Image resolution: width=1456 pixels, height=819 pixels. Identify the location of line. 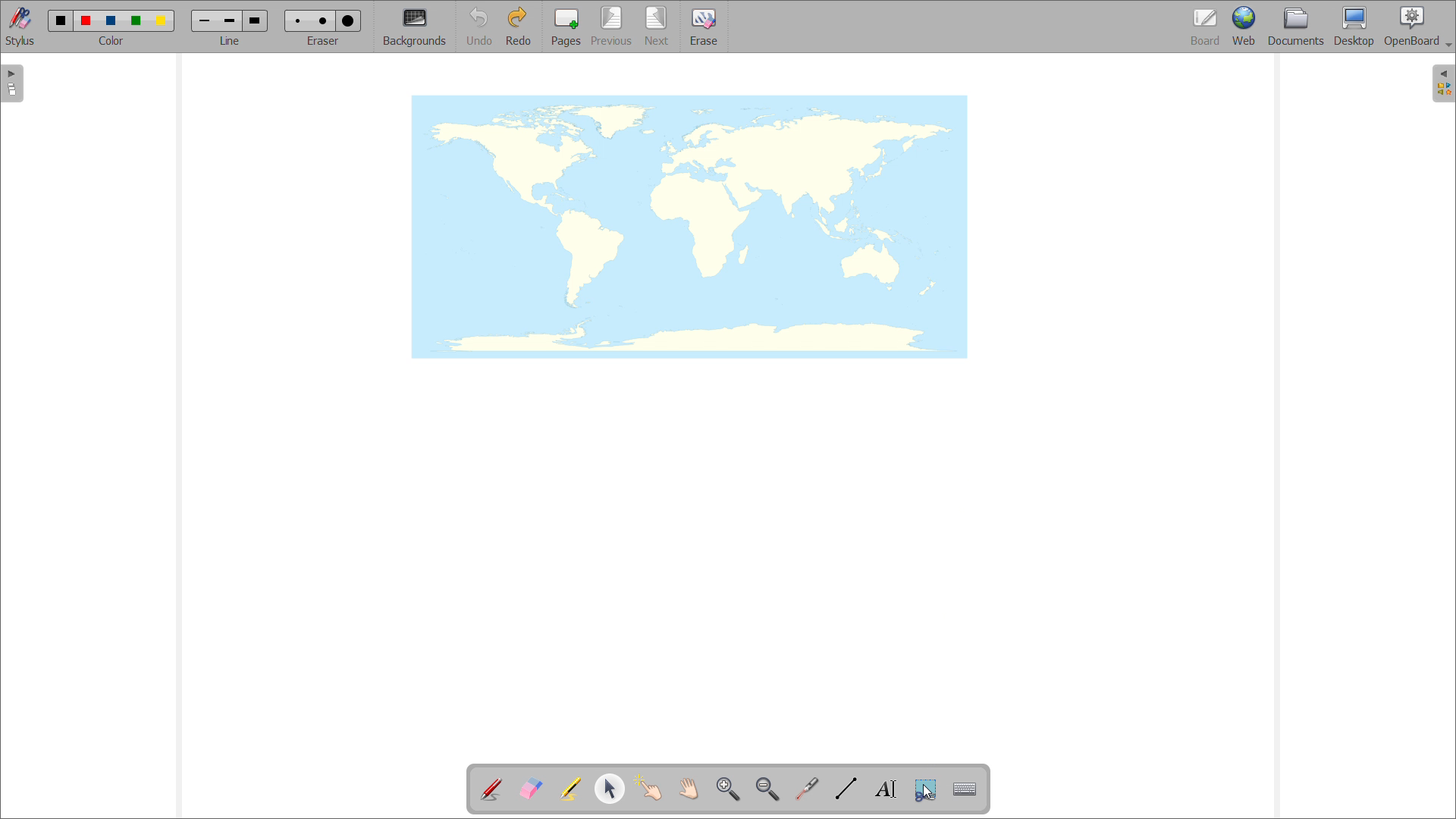
(230, 40).